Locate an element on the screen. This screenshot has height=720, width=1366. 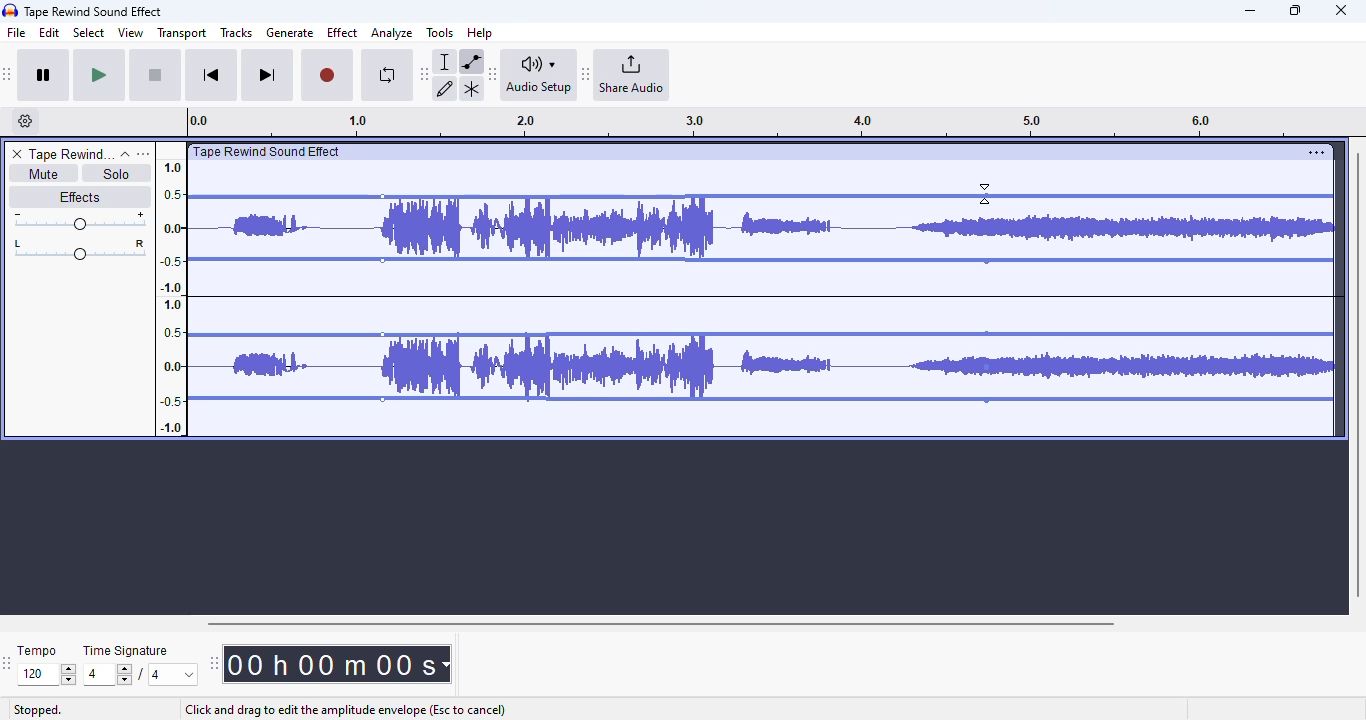
Control point is located at coordinates (383, 197).